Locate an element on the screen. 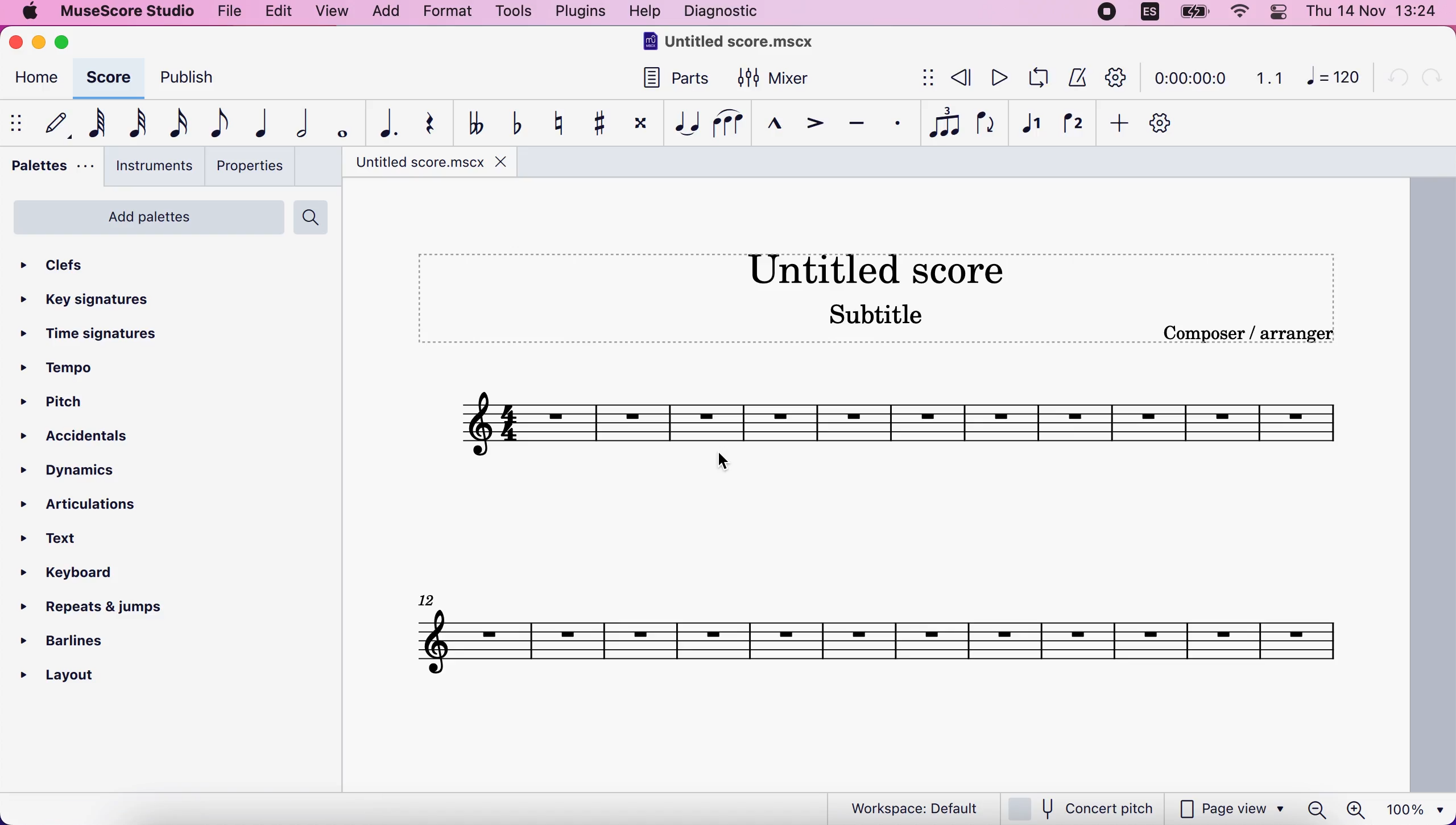 This screenshot has height=825, width=1456. properties is located at coordinates (255, 170).